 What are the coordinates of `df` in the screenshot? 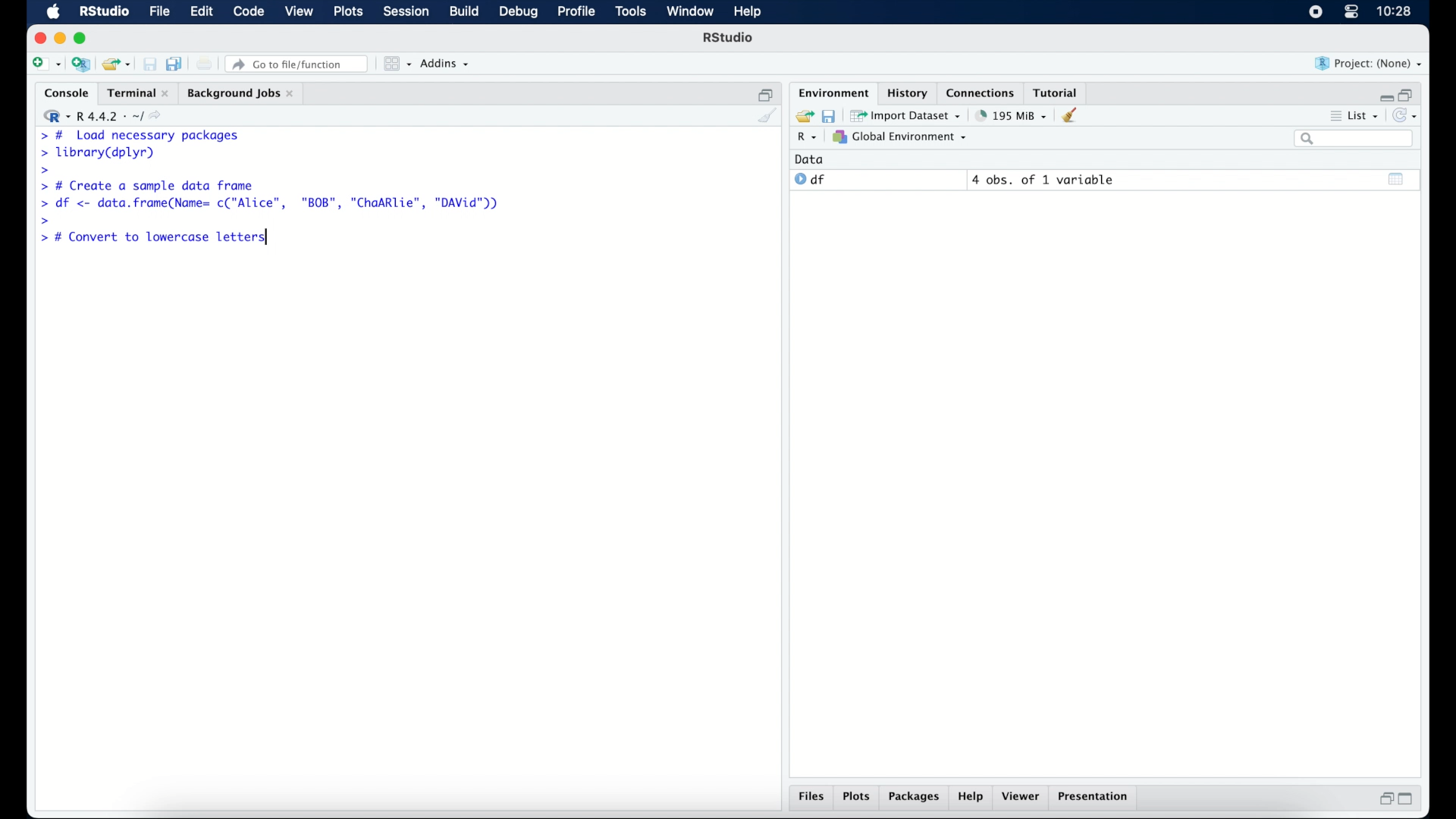 It's located at (810, 180).